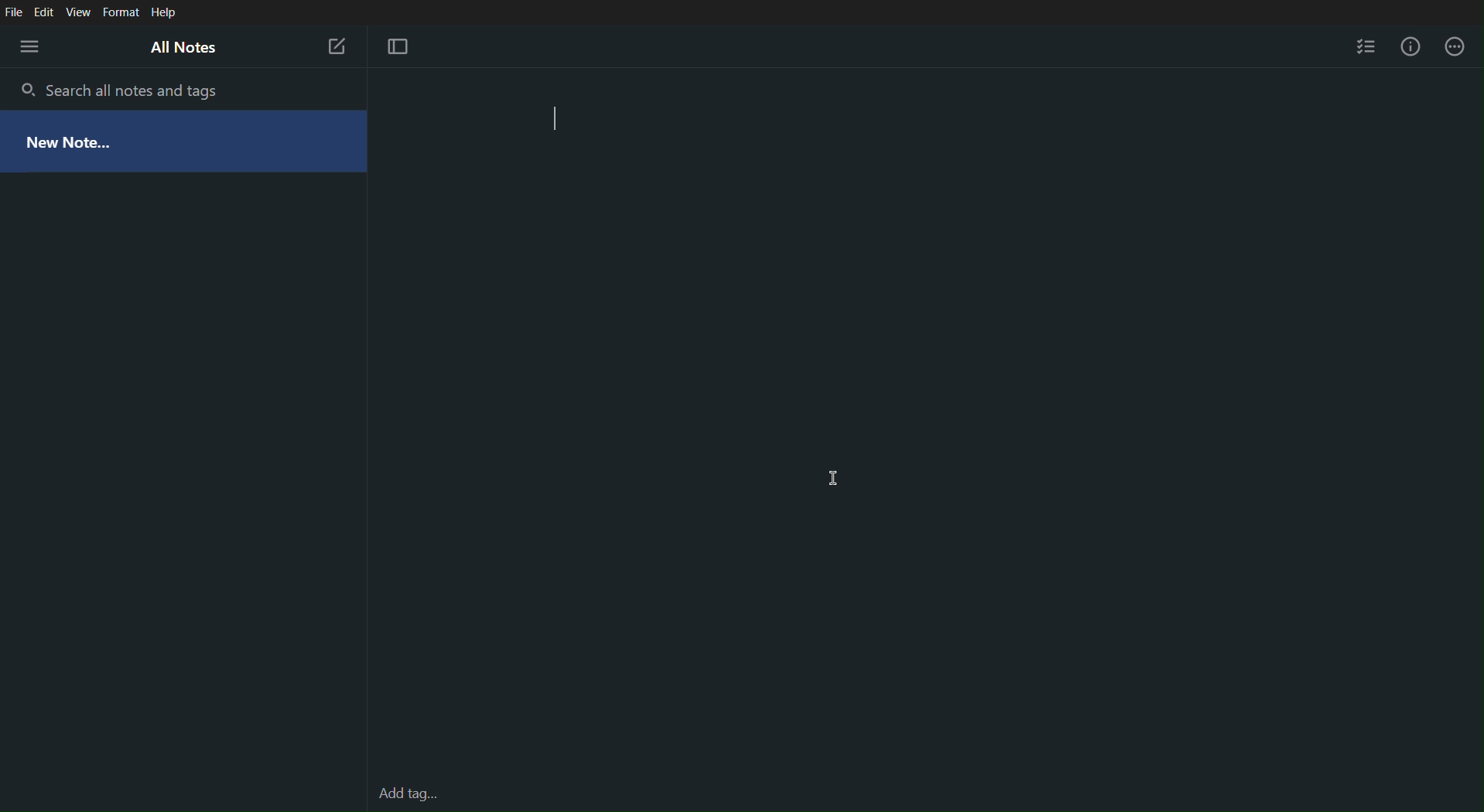 The width and height of the screenshot is (1484, 812). I want to click on New Note, so click(137, 143).